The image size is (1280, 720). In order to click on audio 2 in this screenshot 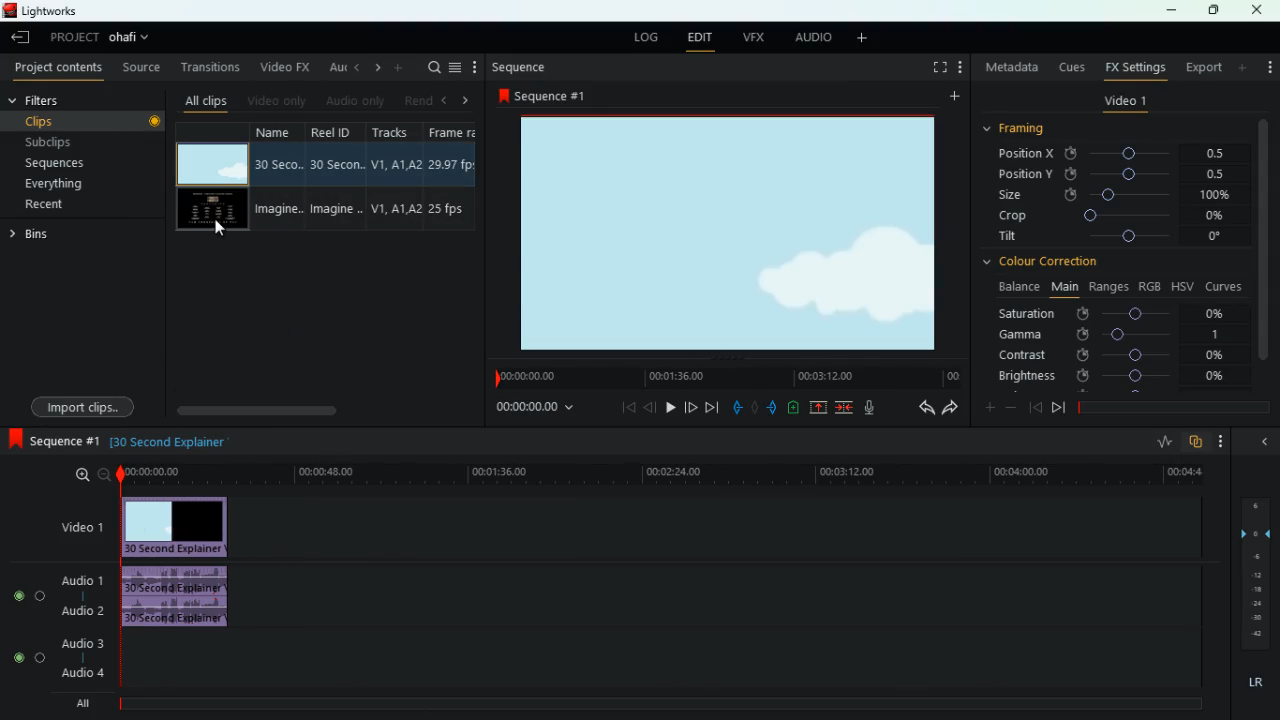, I will do `click(80, 611)`.